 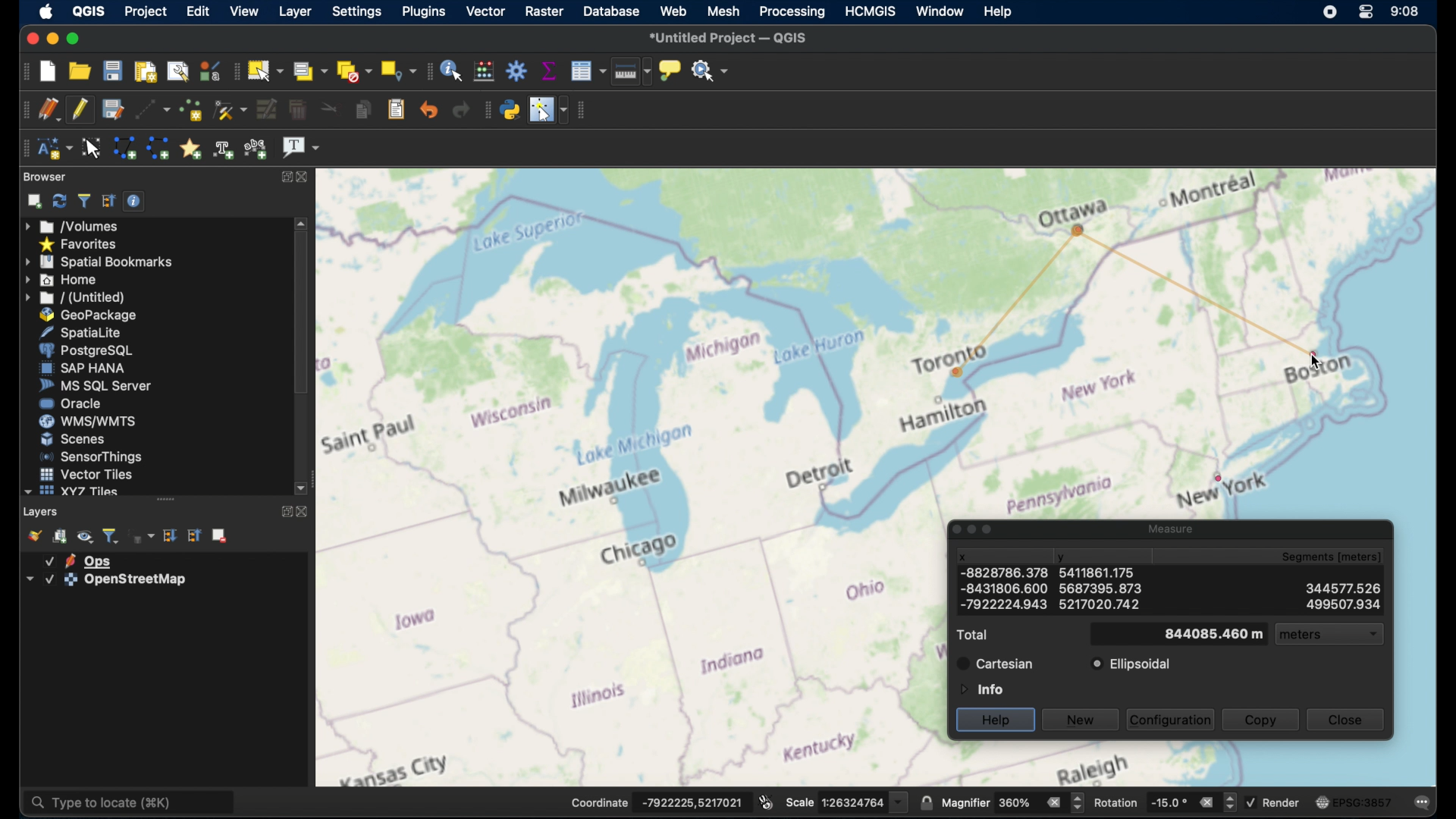 What do you see at coordinates (1132, 664) in the screenshot?
I see `ellipsoidal` at bounding box center [1132, 664].